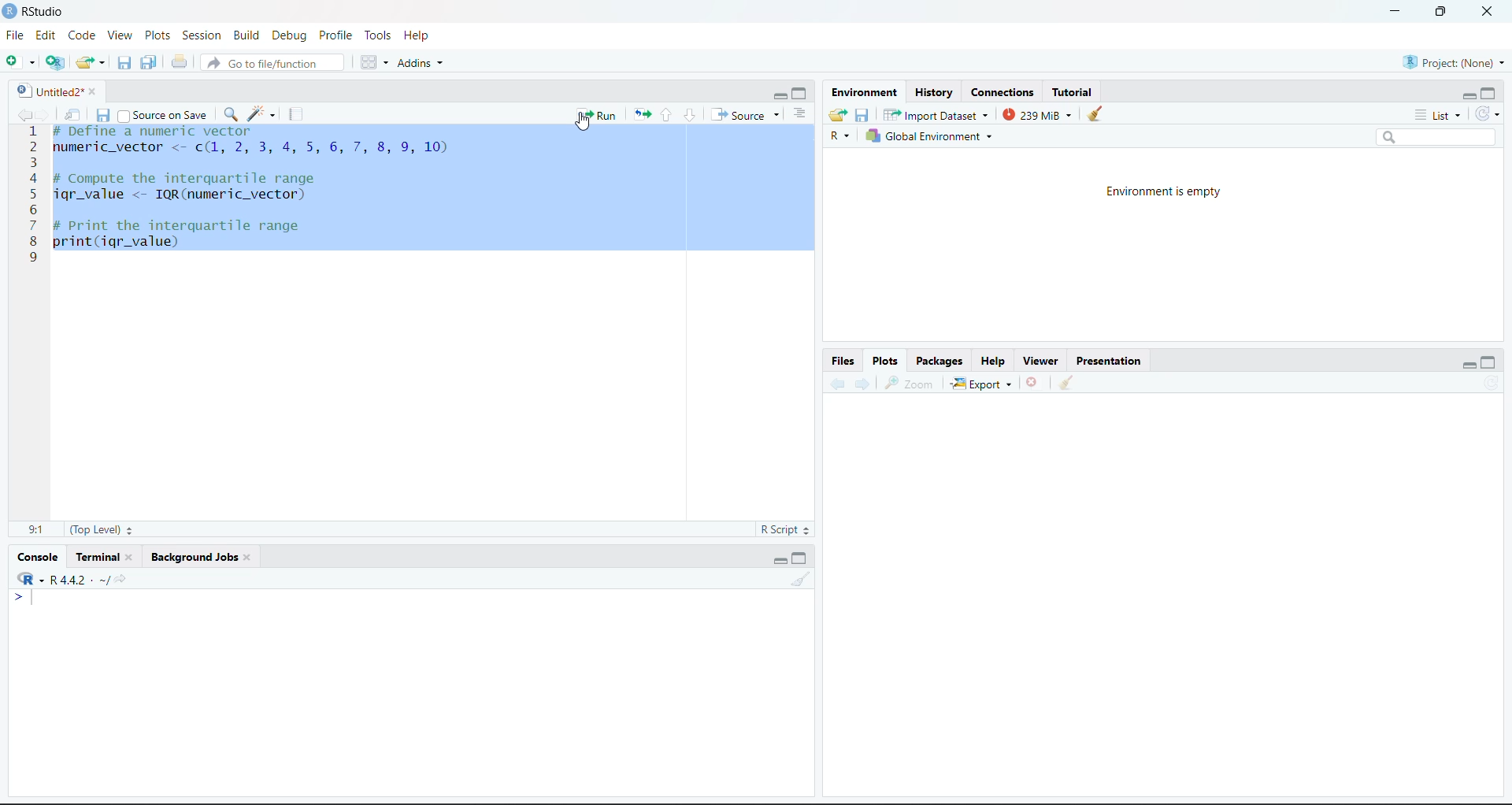 This screenshot has width=1512, height=805. Describe the element at coordinates (1491, 92) in the screenshot. I see `Maximize` at that location.